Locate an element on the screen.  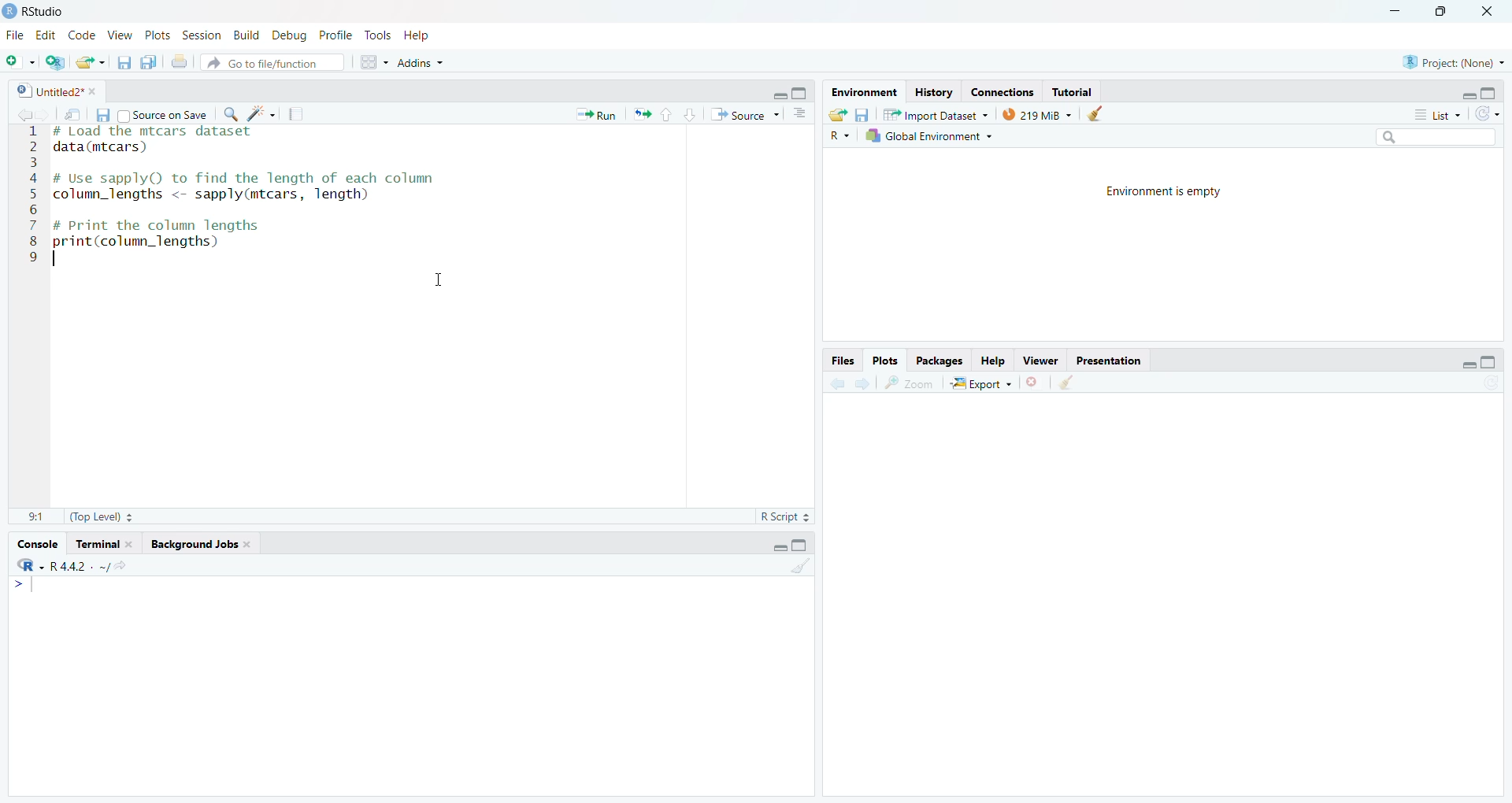
Debug is located at coordinates (291, 35).